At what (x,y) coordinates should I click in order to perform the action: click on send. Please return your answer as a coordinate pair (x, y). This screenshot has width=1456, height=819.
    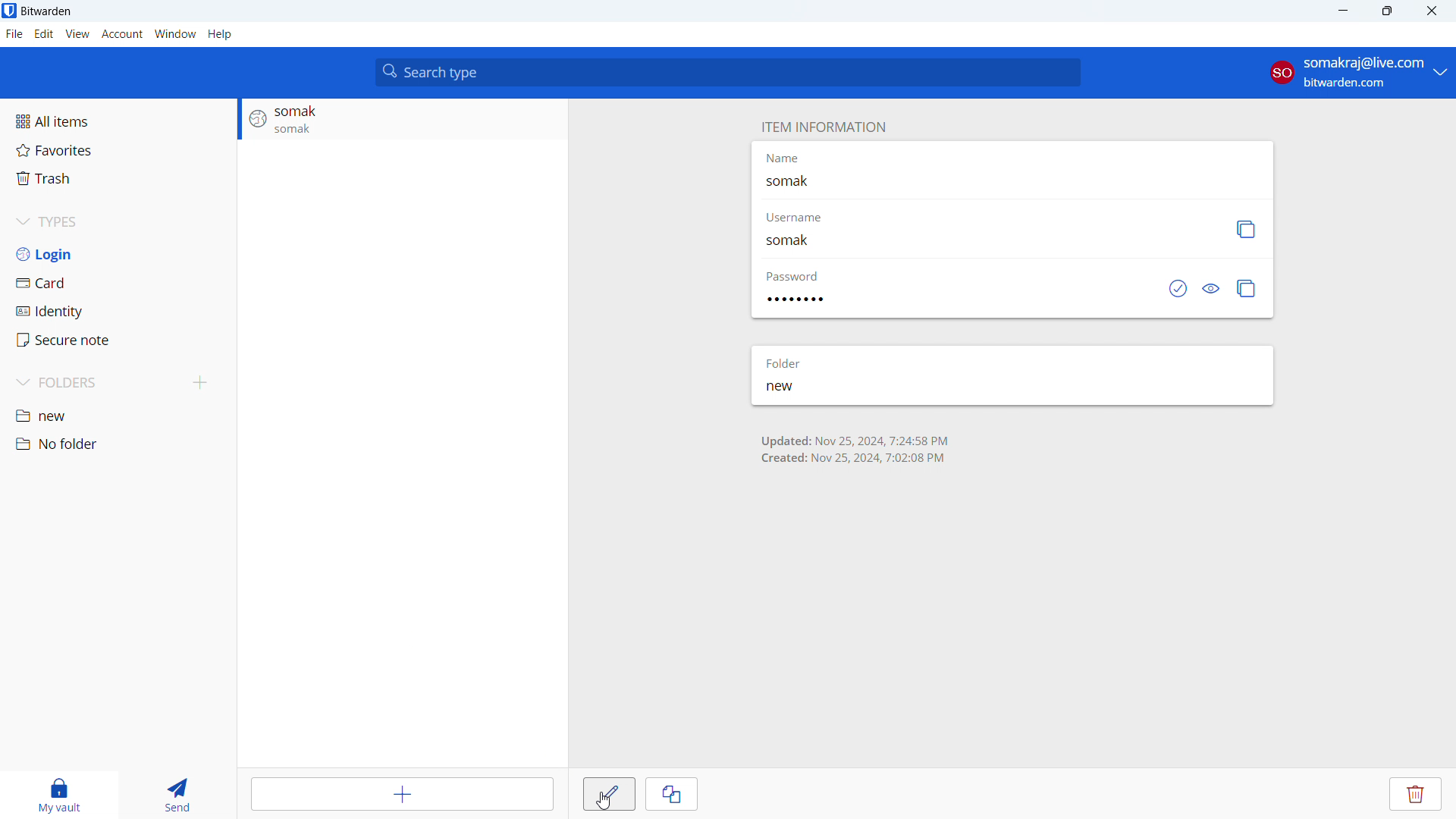
    Looking at the image, I should click on (190, 795).